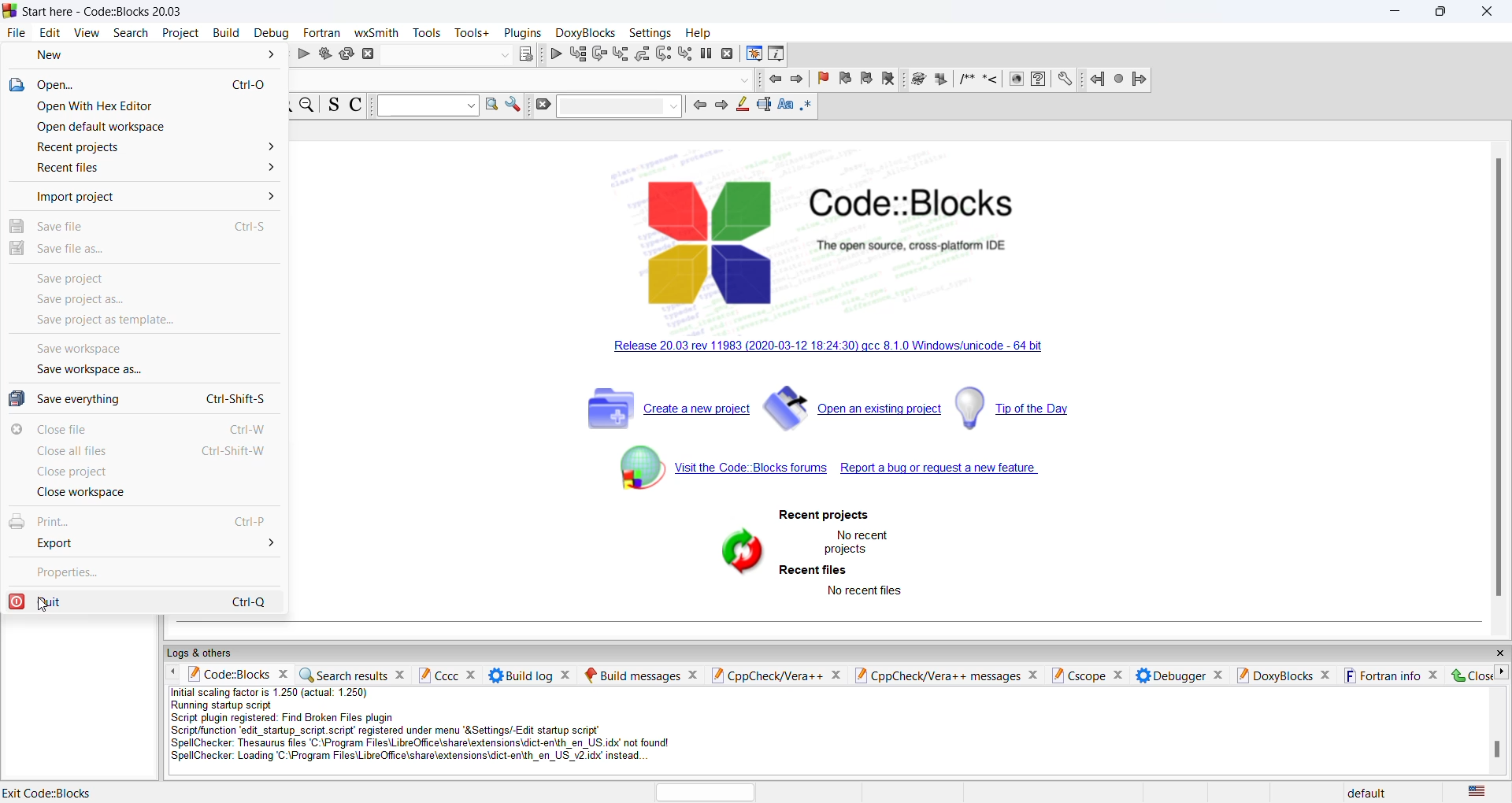 The image size is (1512, 803). Describe the element at coordinates (17, 428) in the screenshot. I see `close icon` at that location.